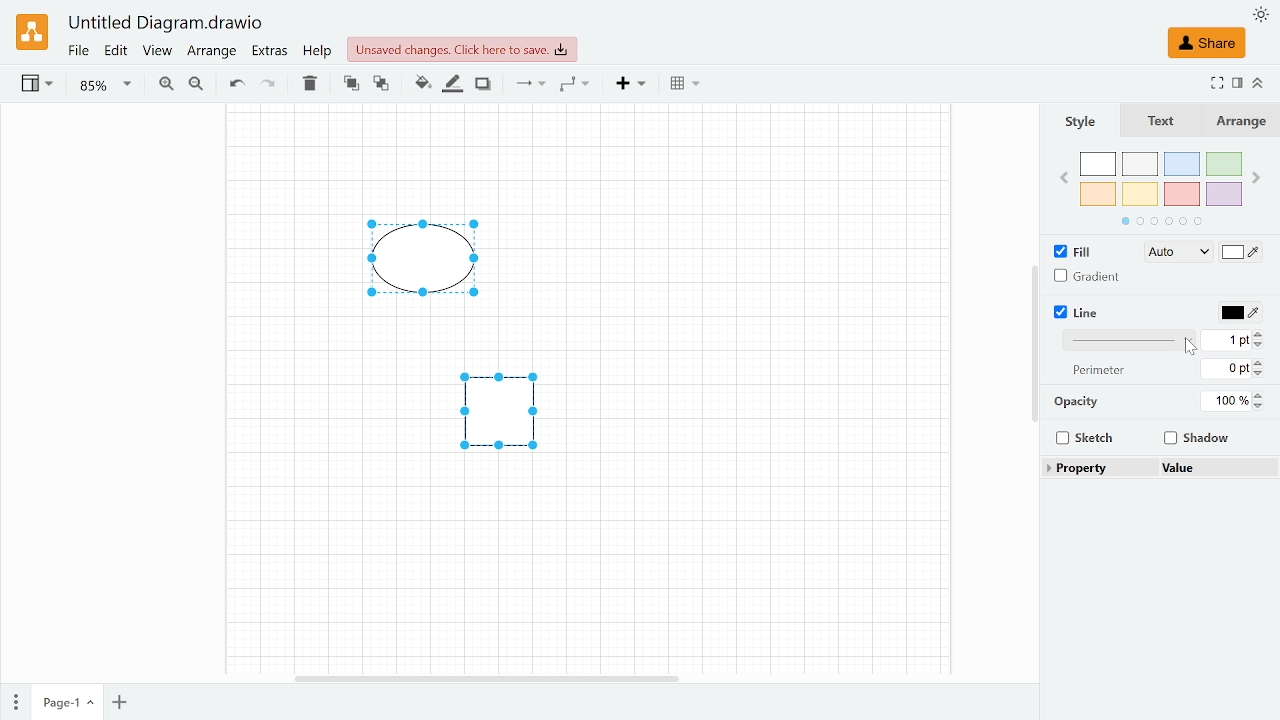  What do you see at coordinates (1162, 189) in the screenshot?
I see `Colors` at bounding box center [1162, 189].